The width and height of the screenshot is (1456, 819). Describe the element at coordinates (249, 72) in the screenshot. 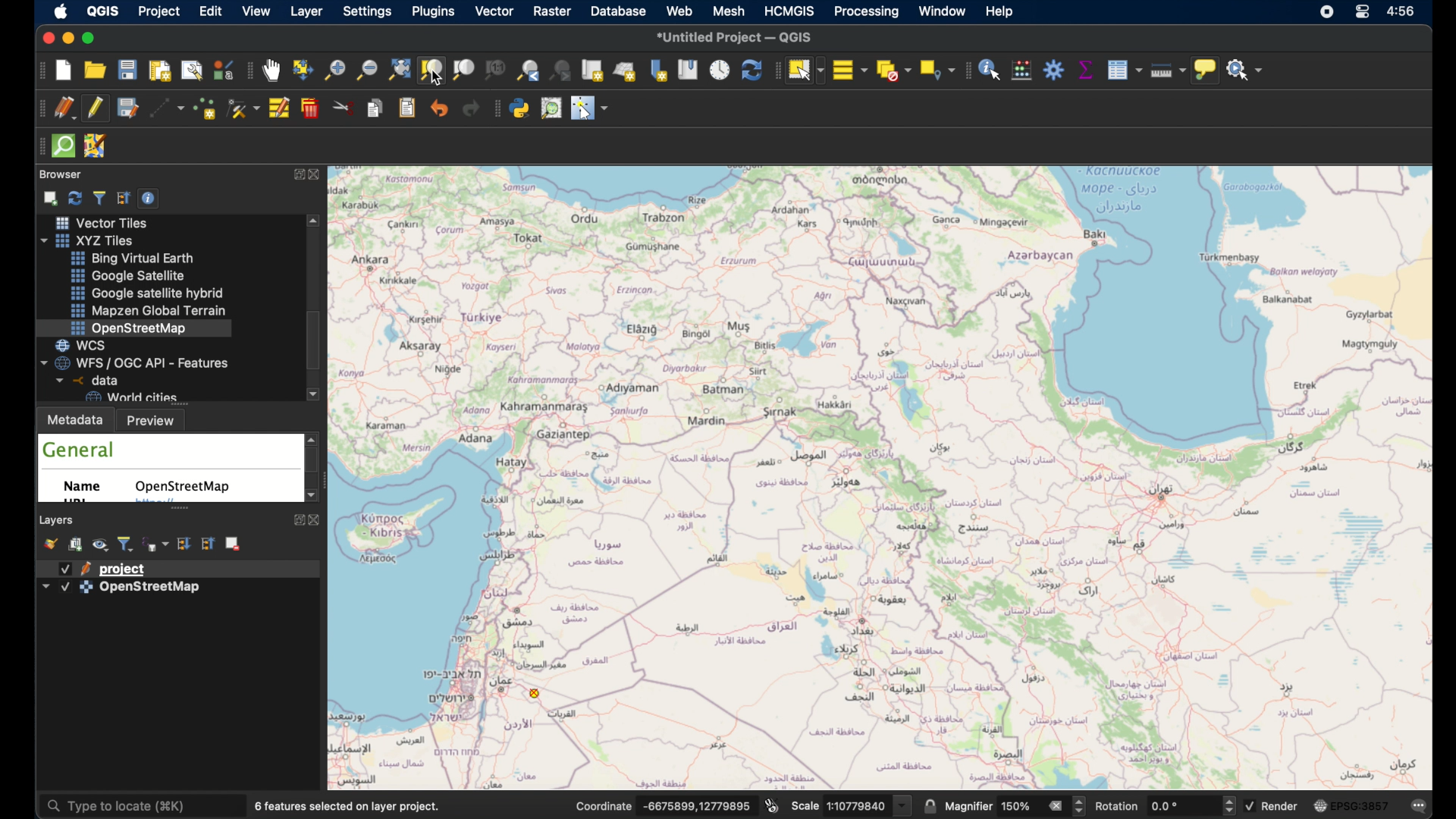

I see `map navigation toolbar` at that location.